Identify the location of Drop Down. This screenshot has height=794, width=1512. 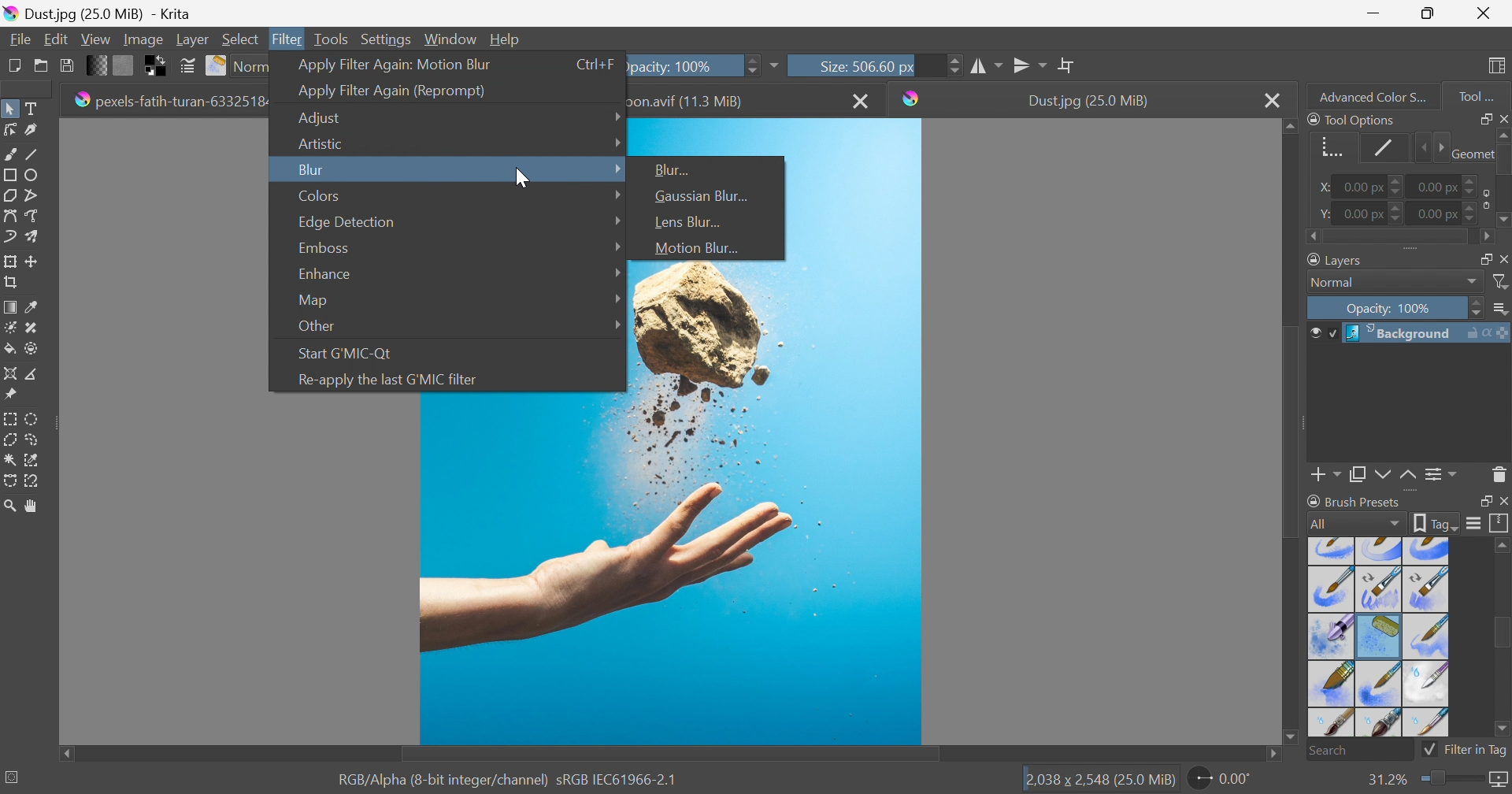
(617, 141).